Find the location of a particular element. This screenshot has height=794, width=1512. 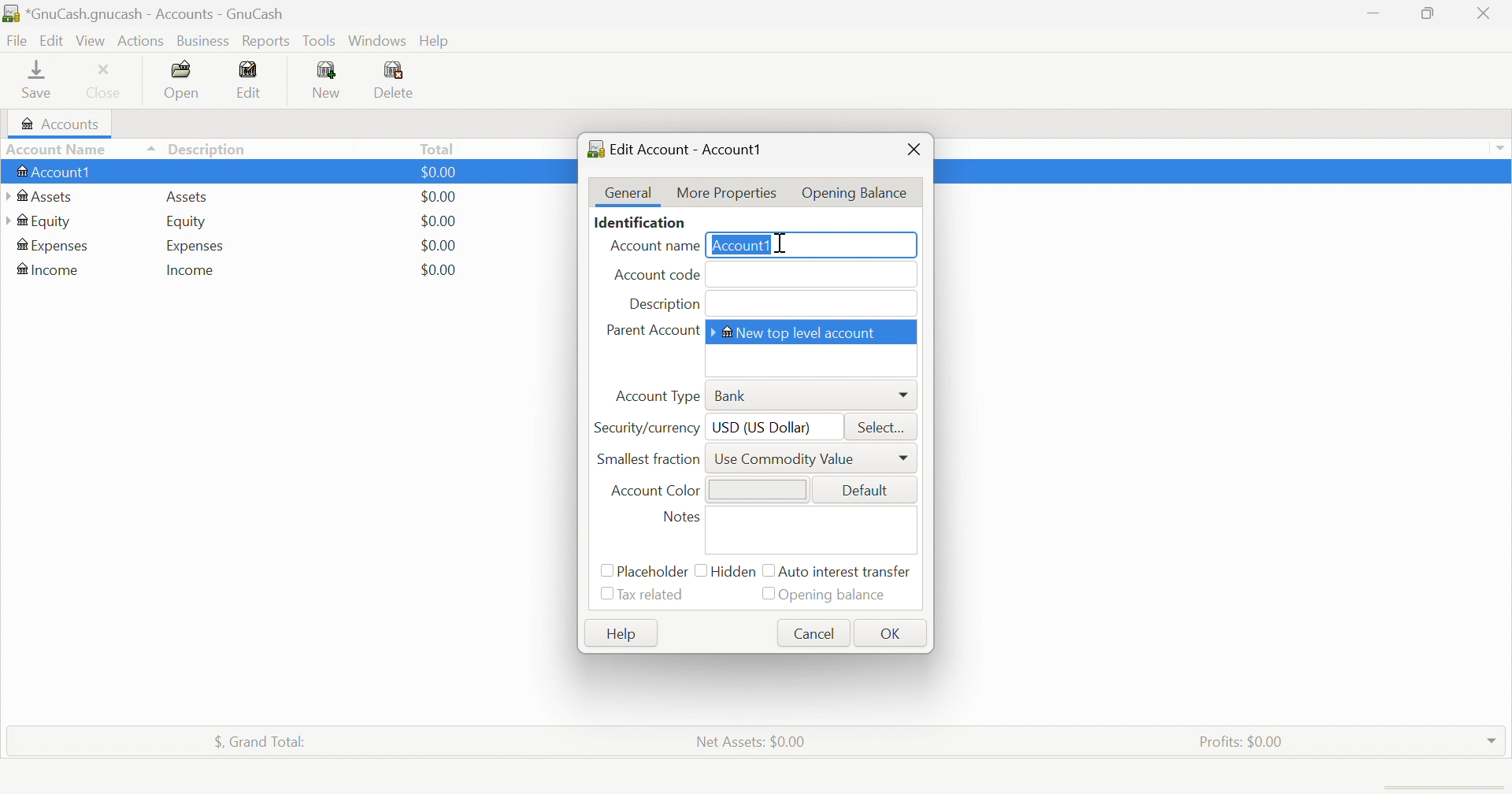

USD (US Dollar) is located at coordinates (764, 429).